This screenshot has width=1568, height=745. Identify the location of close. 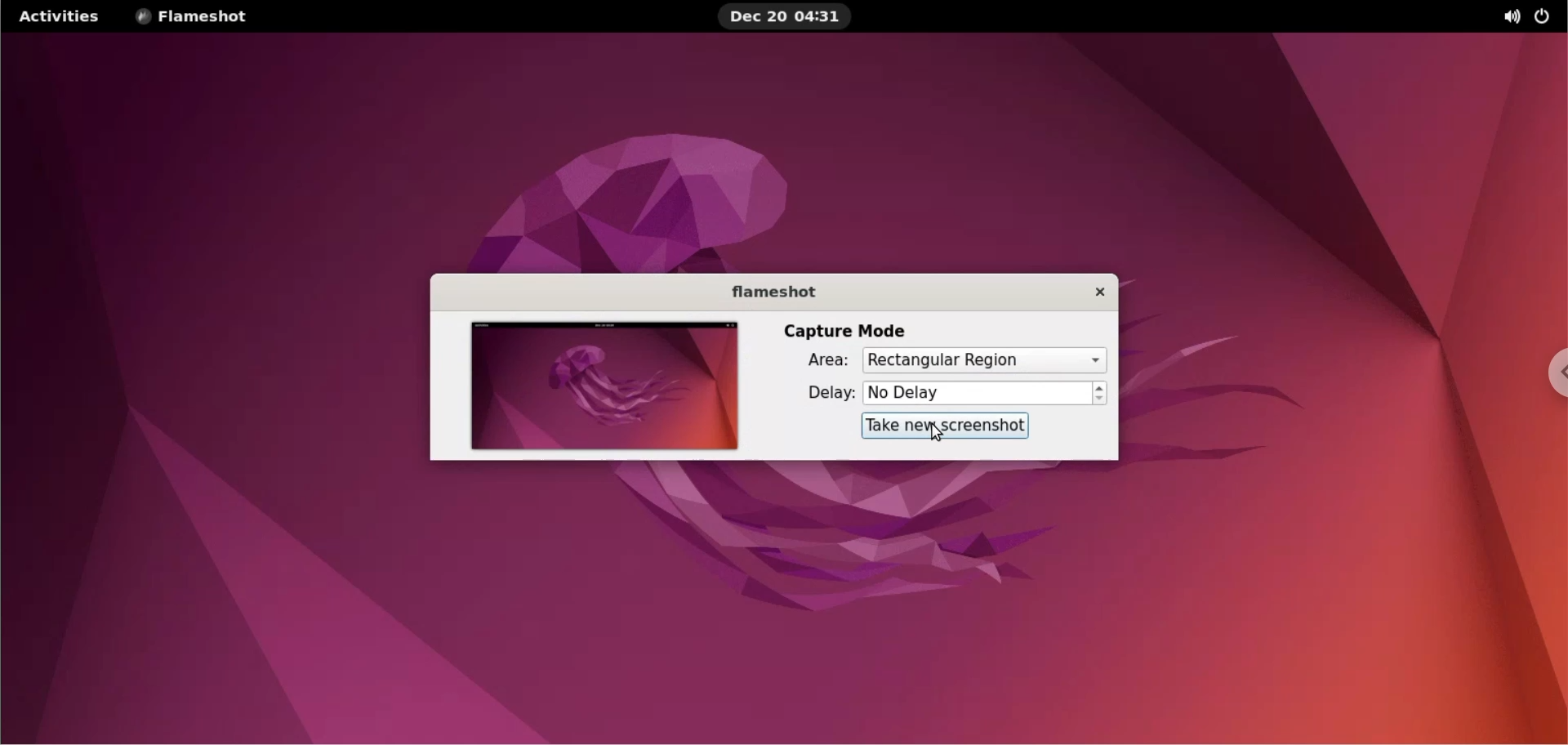
(1102, 294).